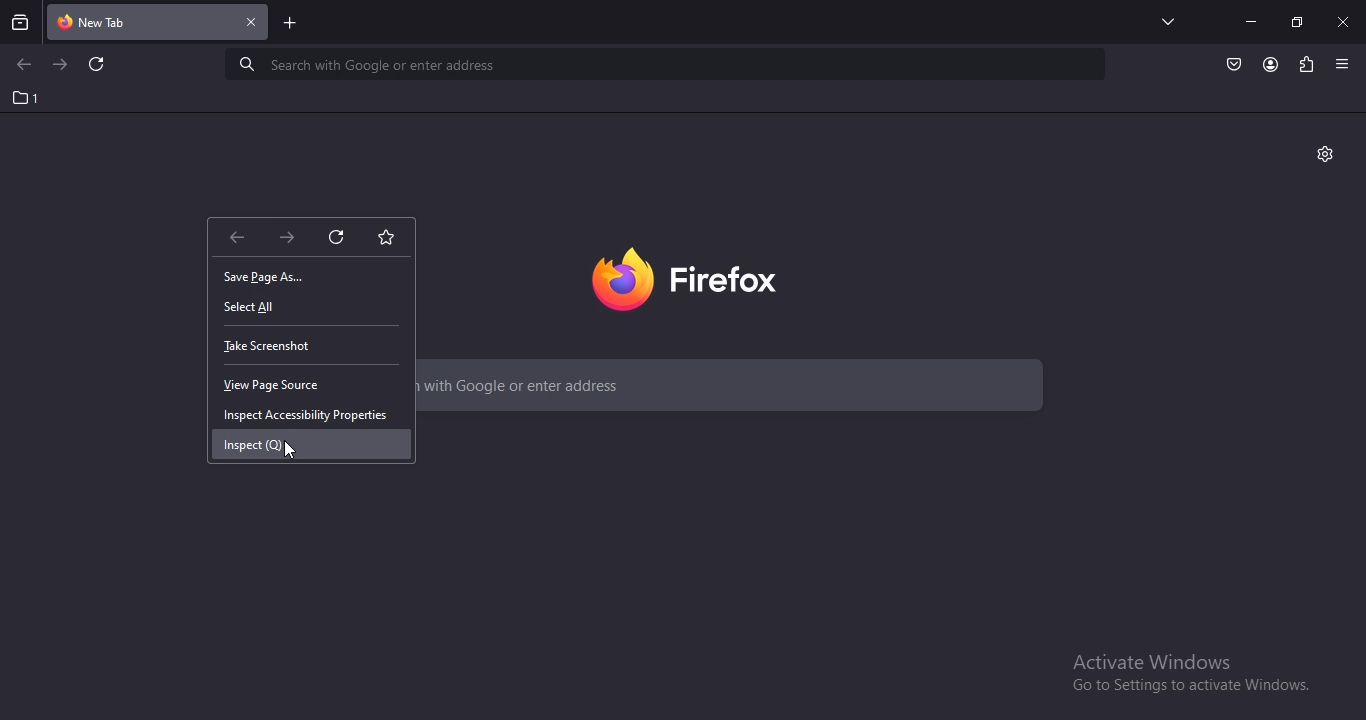 The width and height of the screenshot is (1366, 720). I want to click on click to go to next page, so click(61, 63).